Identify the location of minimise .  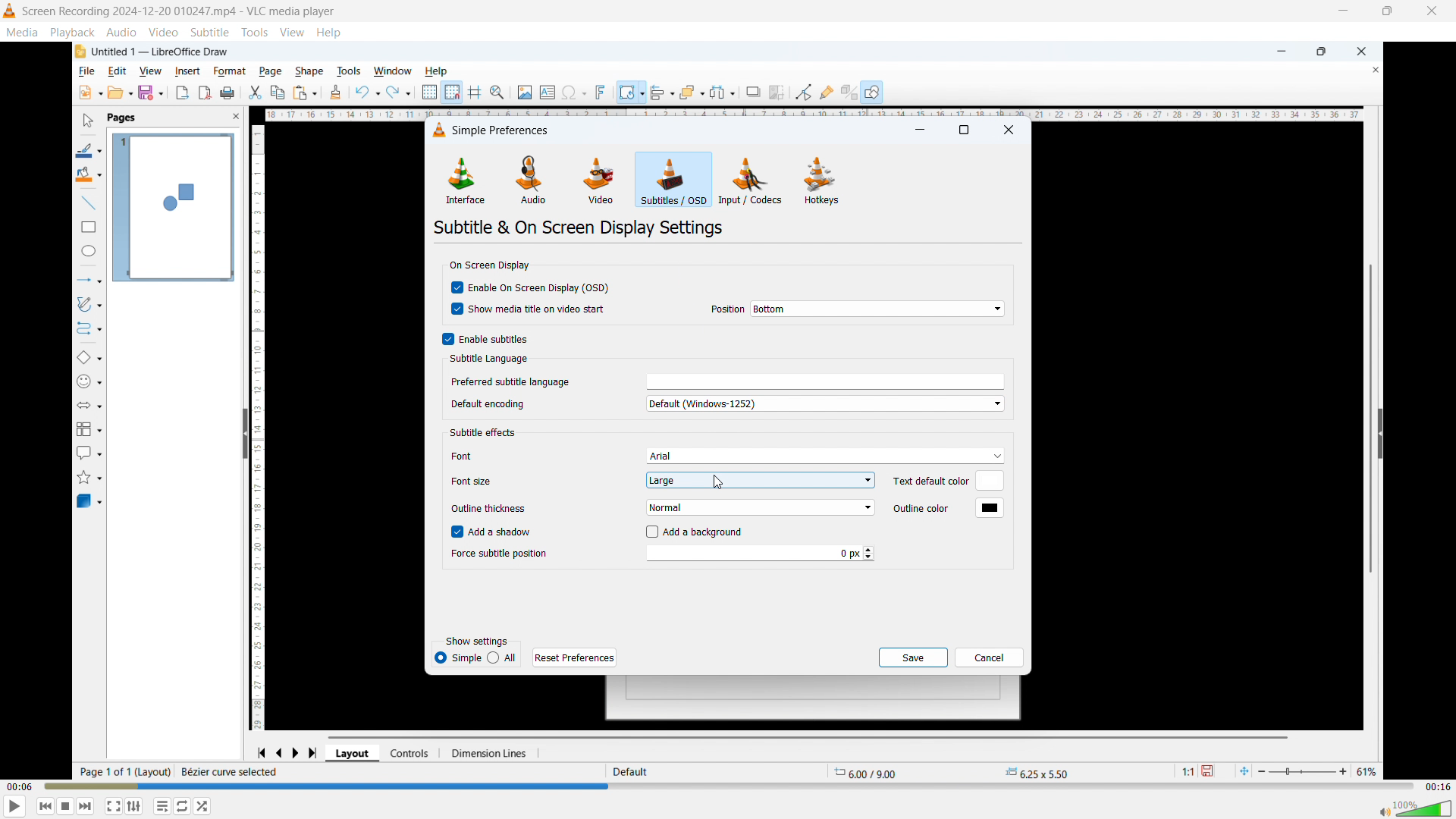
(1341, 12).